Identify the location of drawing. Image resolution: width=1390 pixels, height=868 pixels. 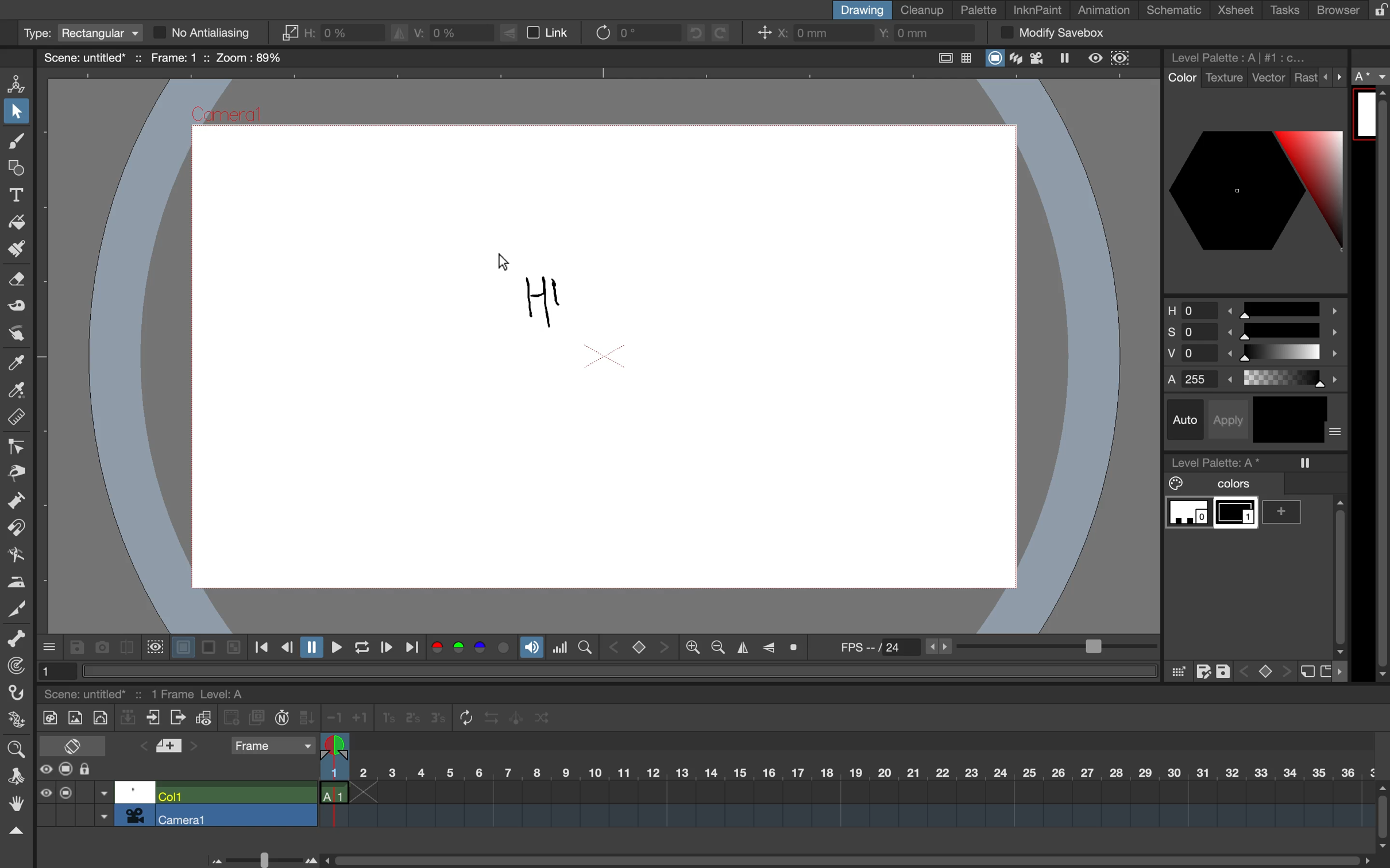
(552, 308).